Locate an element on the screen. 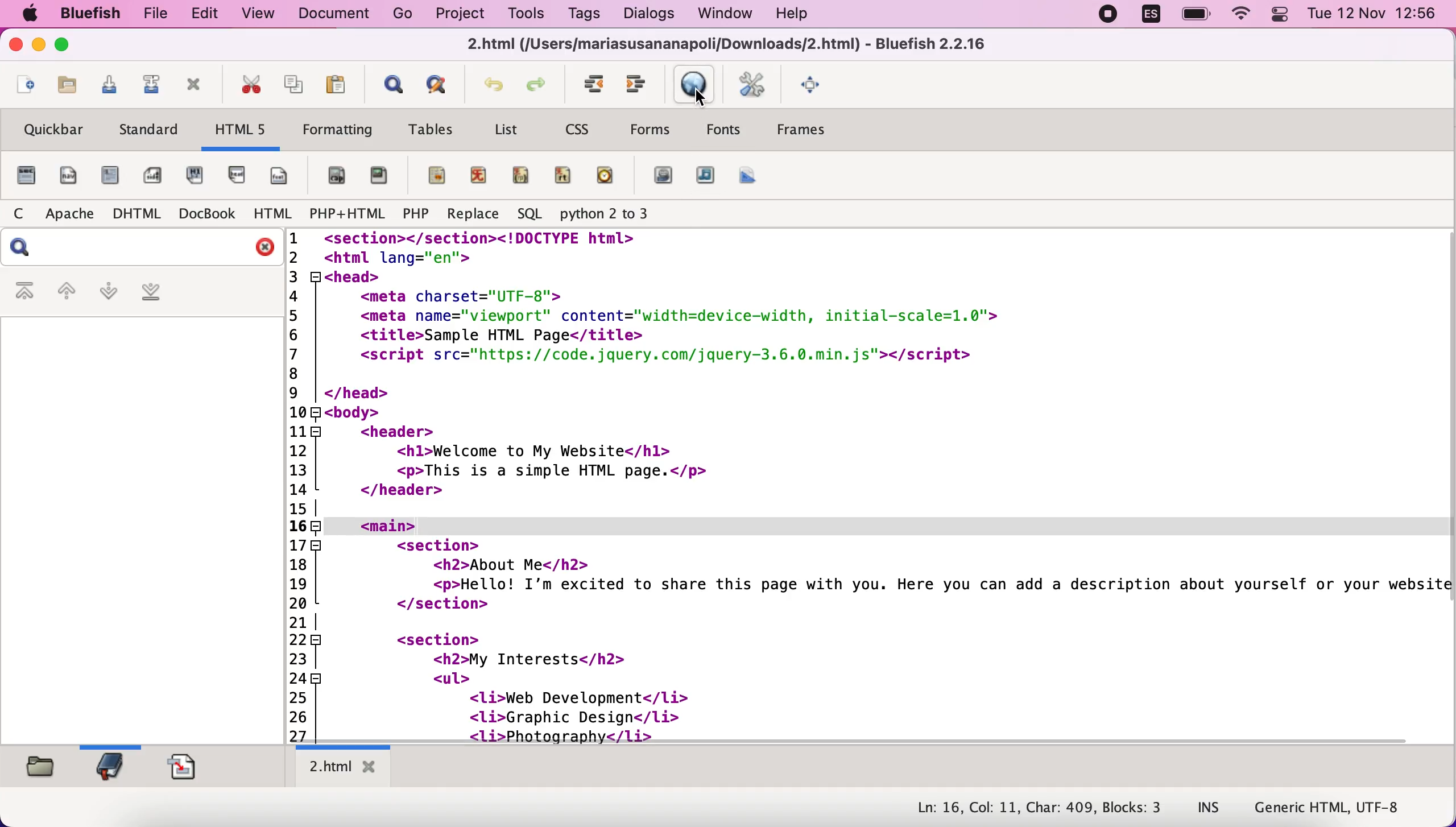  html 5 is located at coordinates (242, 131).